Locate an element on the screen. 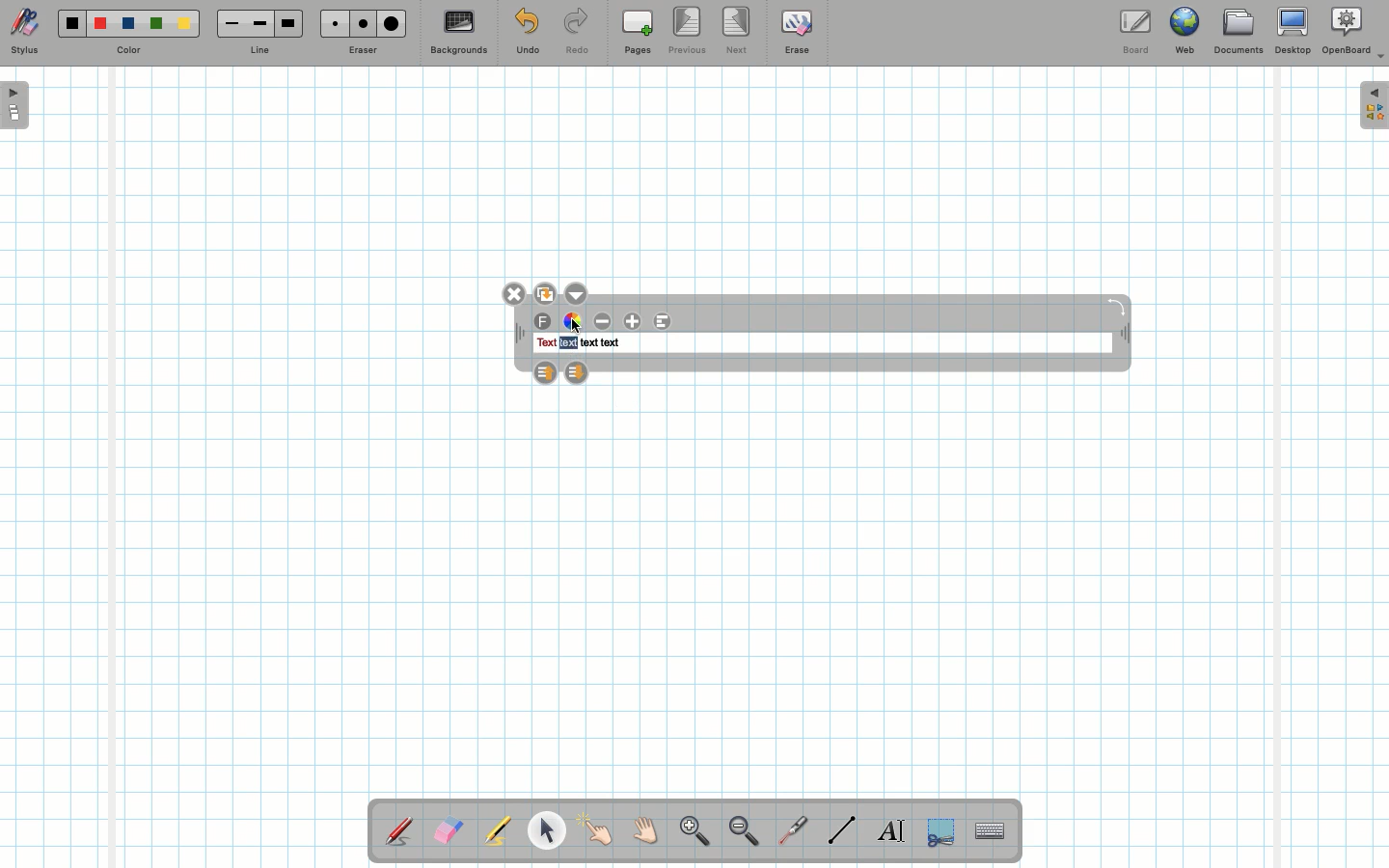  Erase is located at coordinates (796, 31).